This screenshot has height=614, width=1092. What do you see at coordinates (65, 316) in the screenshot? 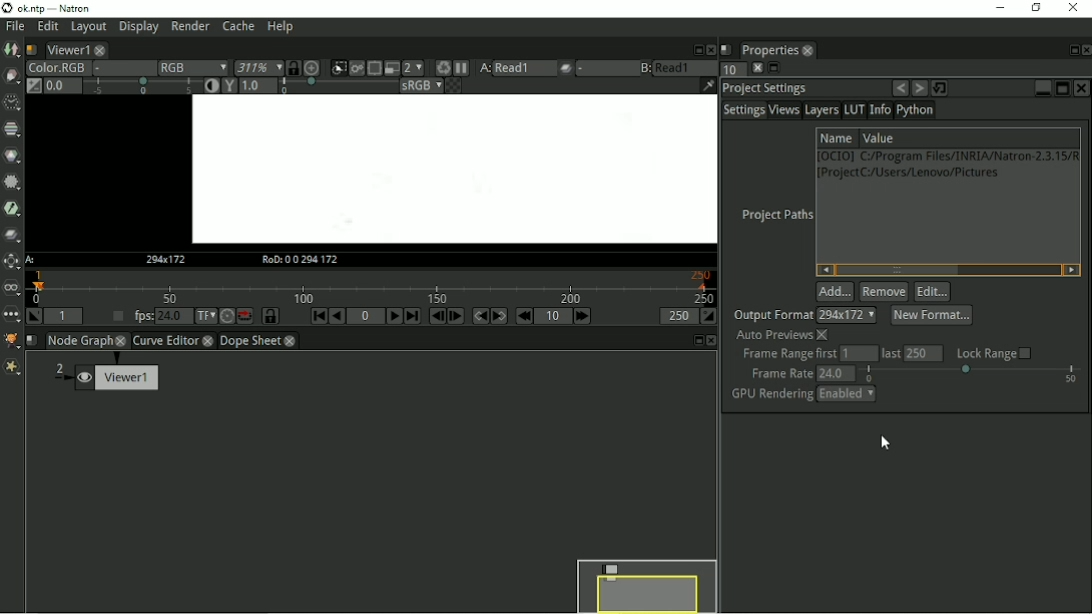
I see `Playback in point` at bounding box center [65, 316].